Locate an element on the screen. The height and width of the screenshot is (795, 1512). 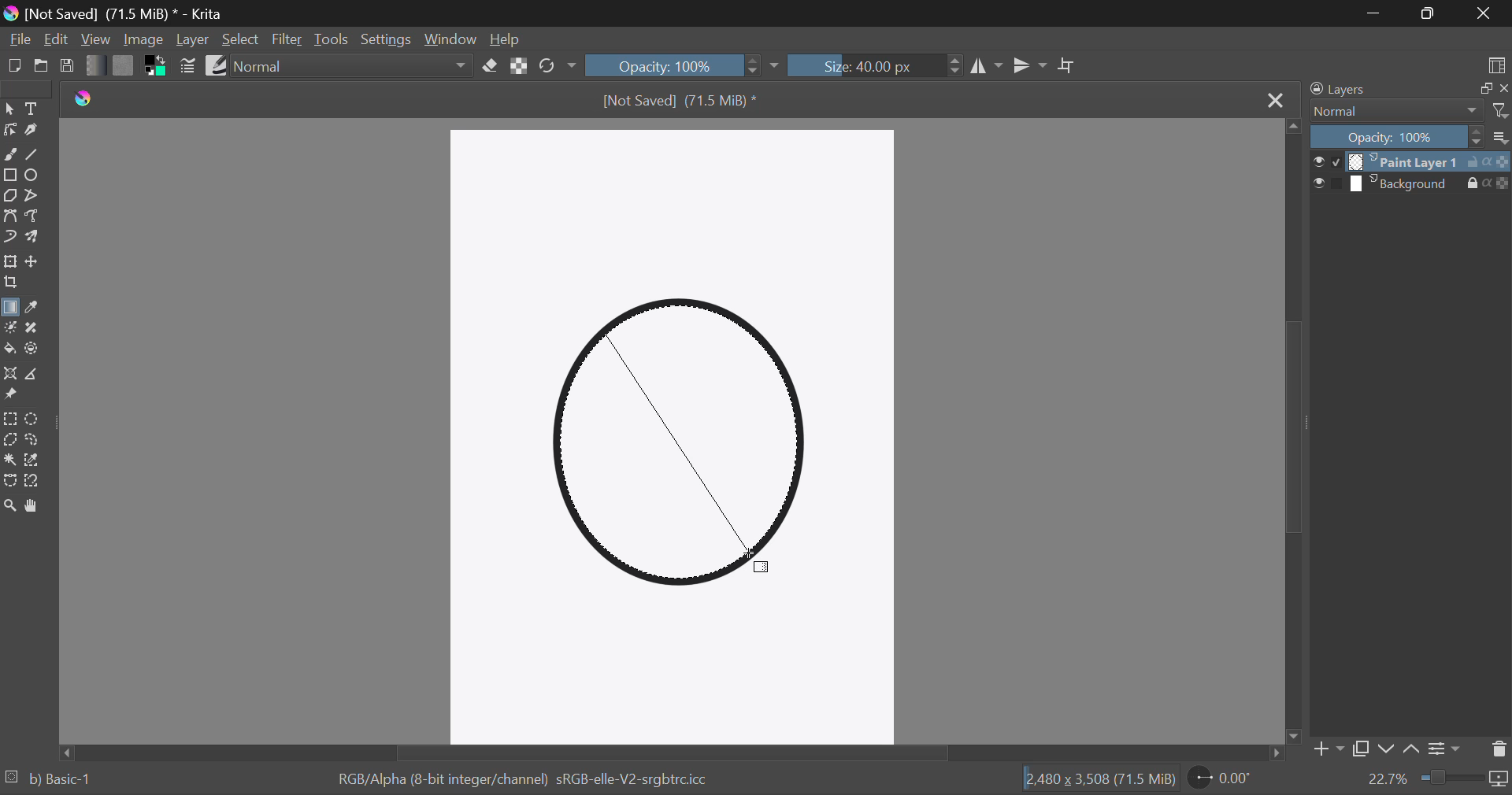
Crop is located at coordinates (11, 284).